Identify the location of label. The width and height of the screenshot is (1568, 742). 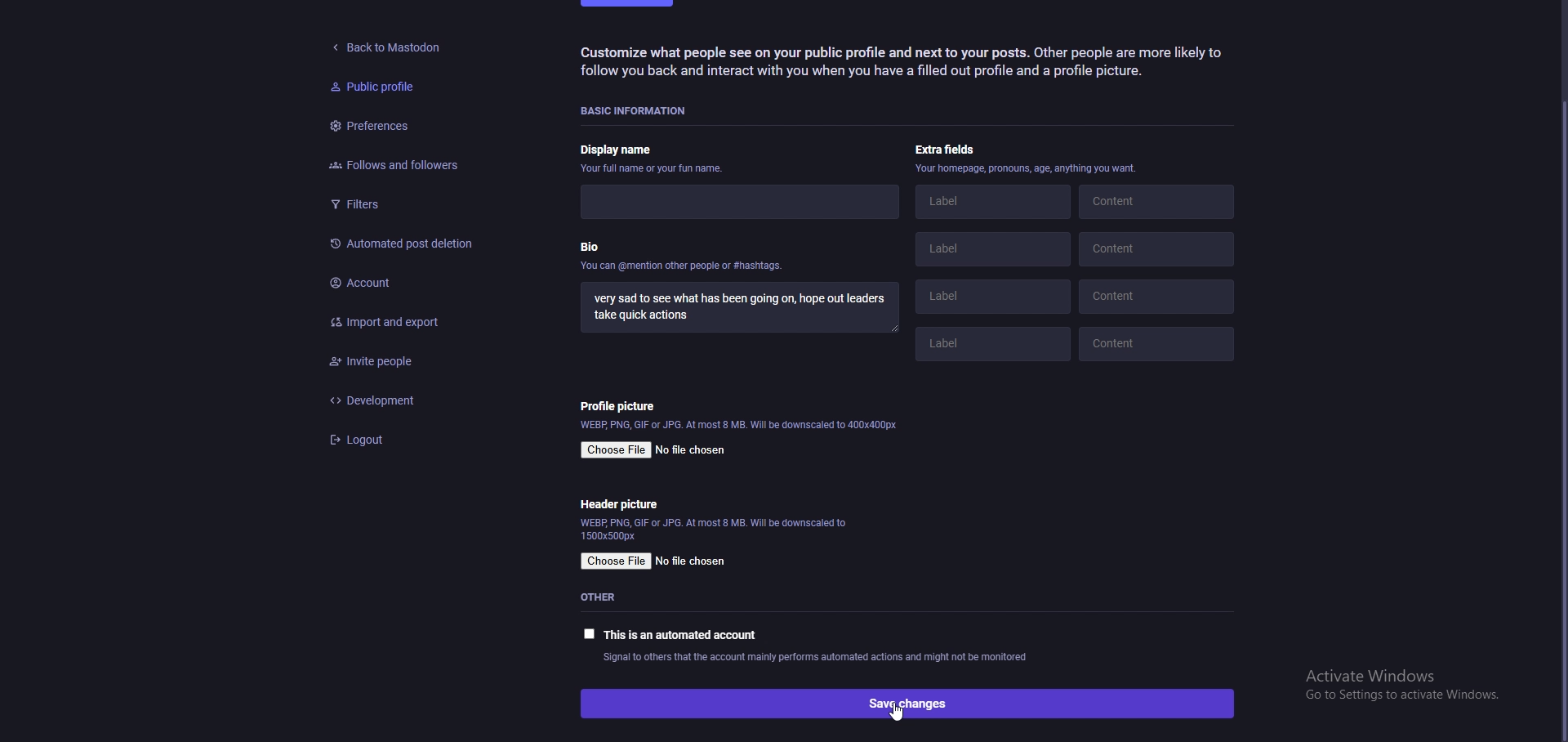
(993, 203).